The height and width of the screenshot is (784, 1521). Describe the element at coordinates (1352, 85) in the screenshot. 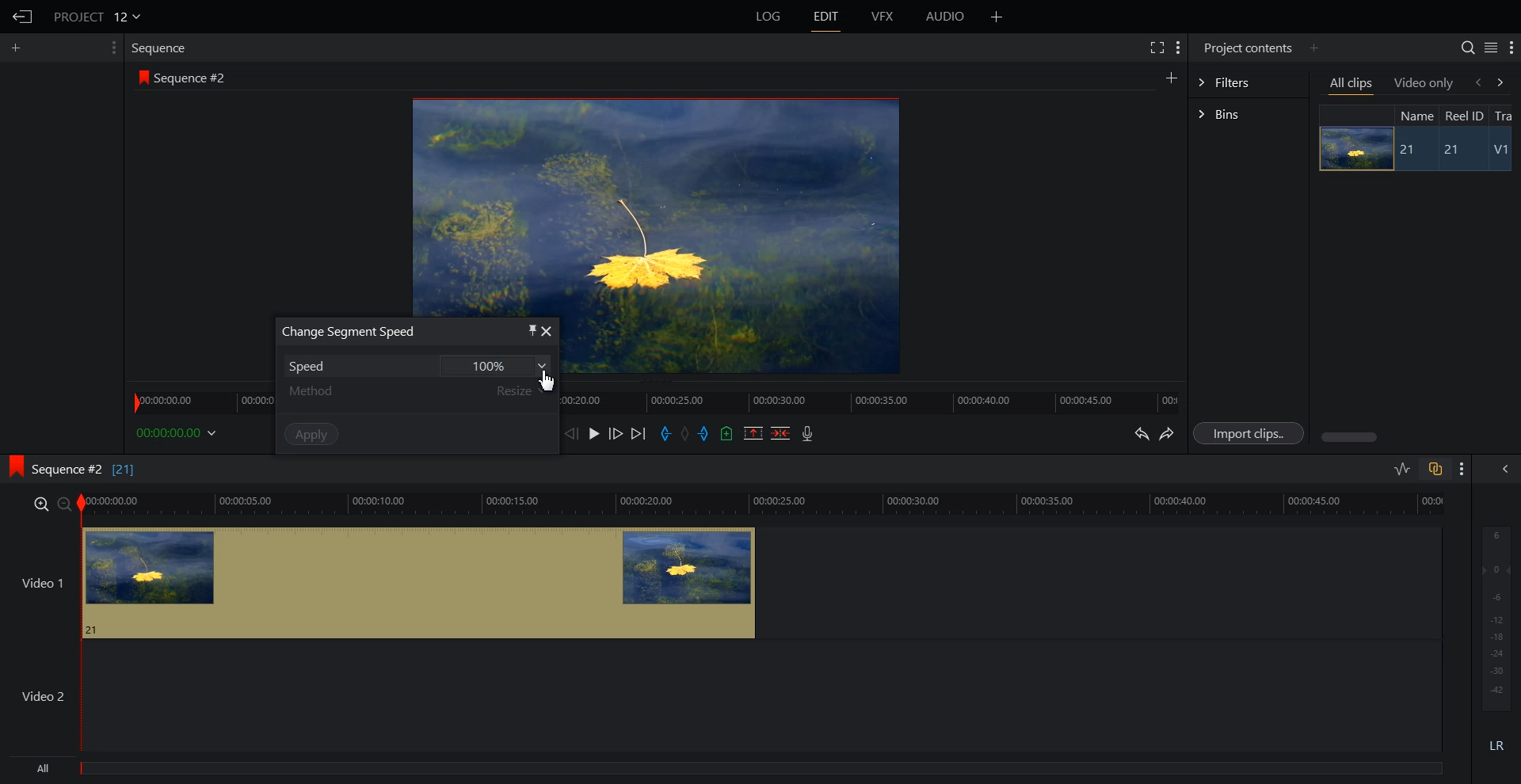

I see `All clips` at that location.